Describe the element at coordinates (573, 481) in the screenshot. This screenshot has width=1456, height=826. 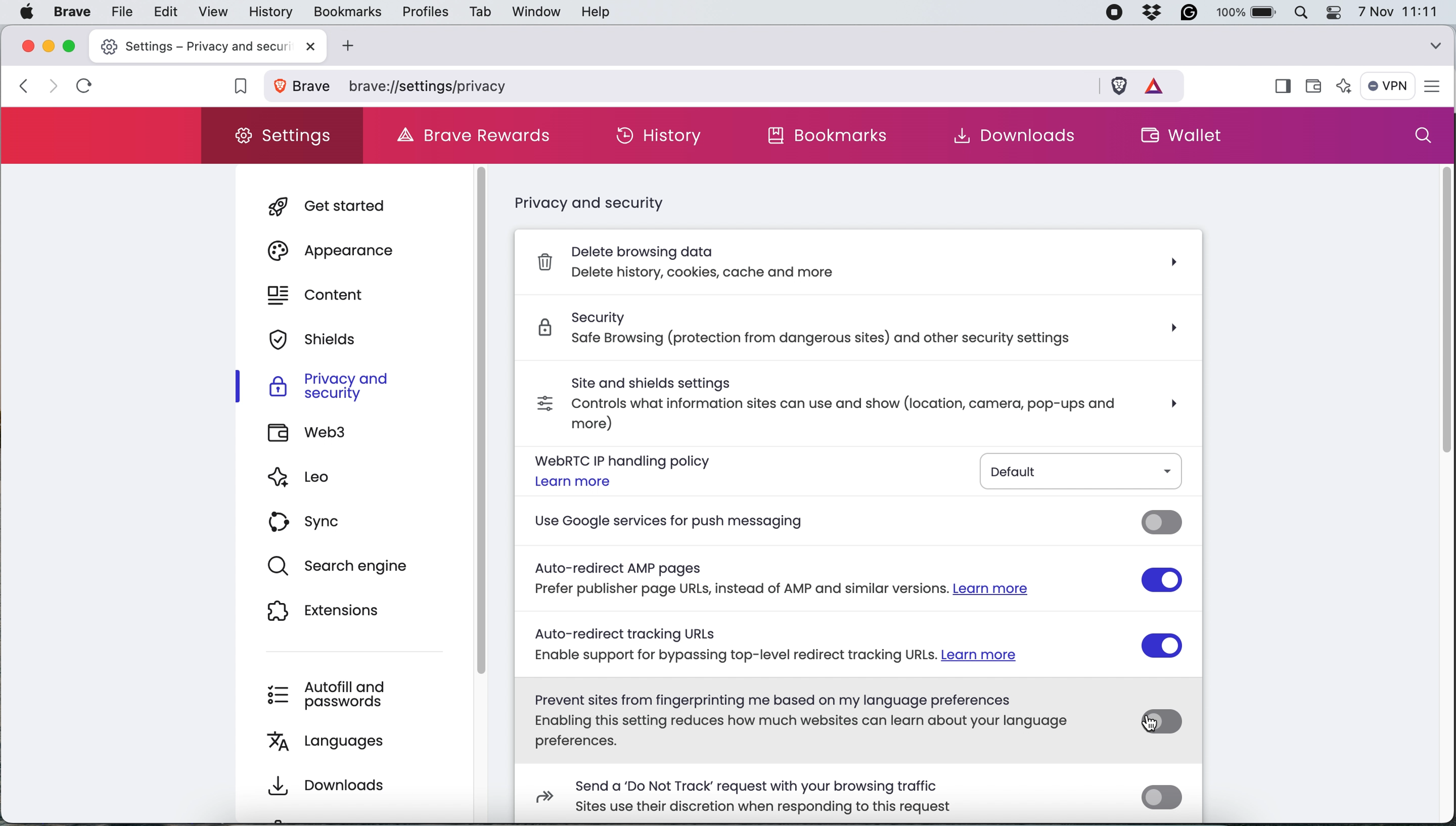
I see `Learn more` at that location.